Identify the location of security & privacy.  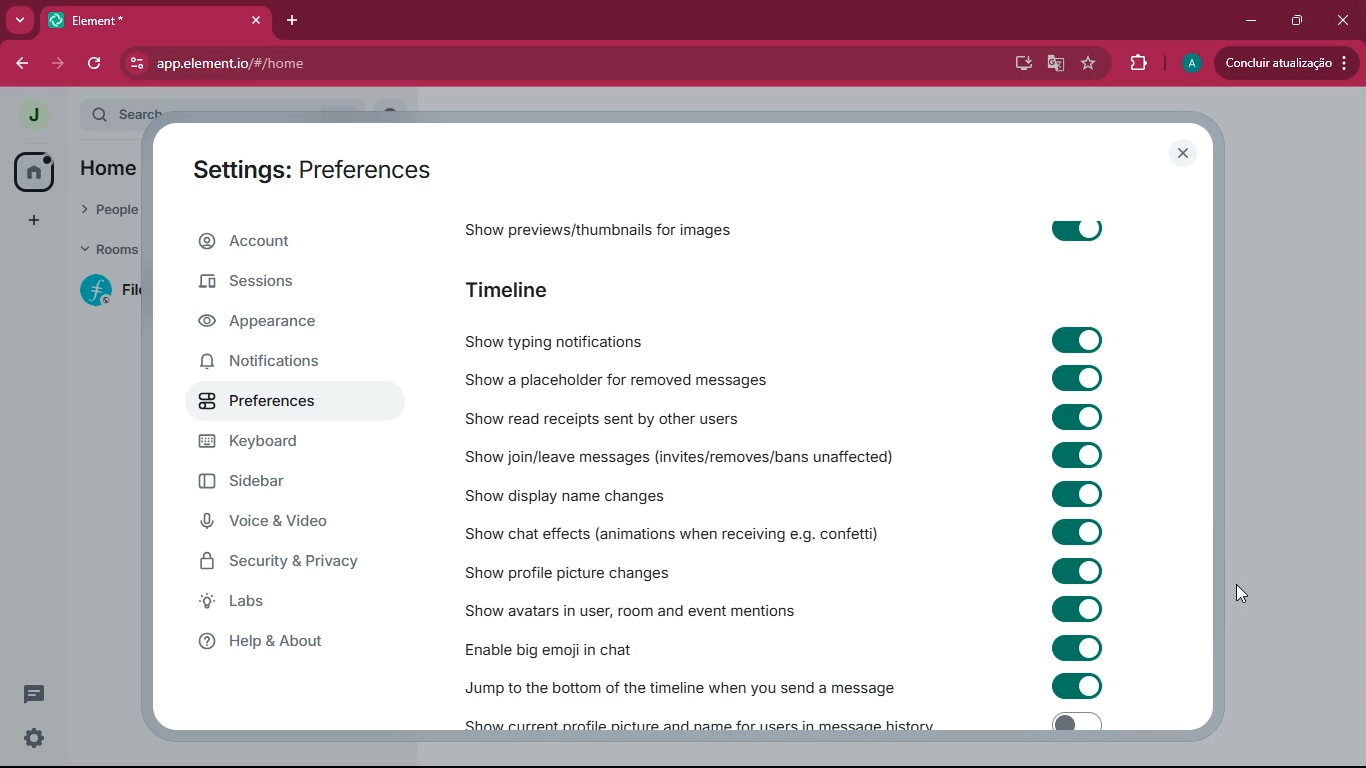
(283, 566).